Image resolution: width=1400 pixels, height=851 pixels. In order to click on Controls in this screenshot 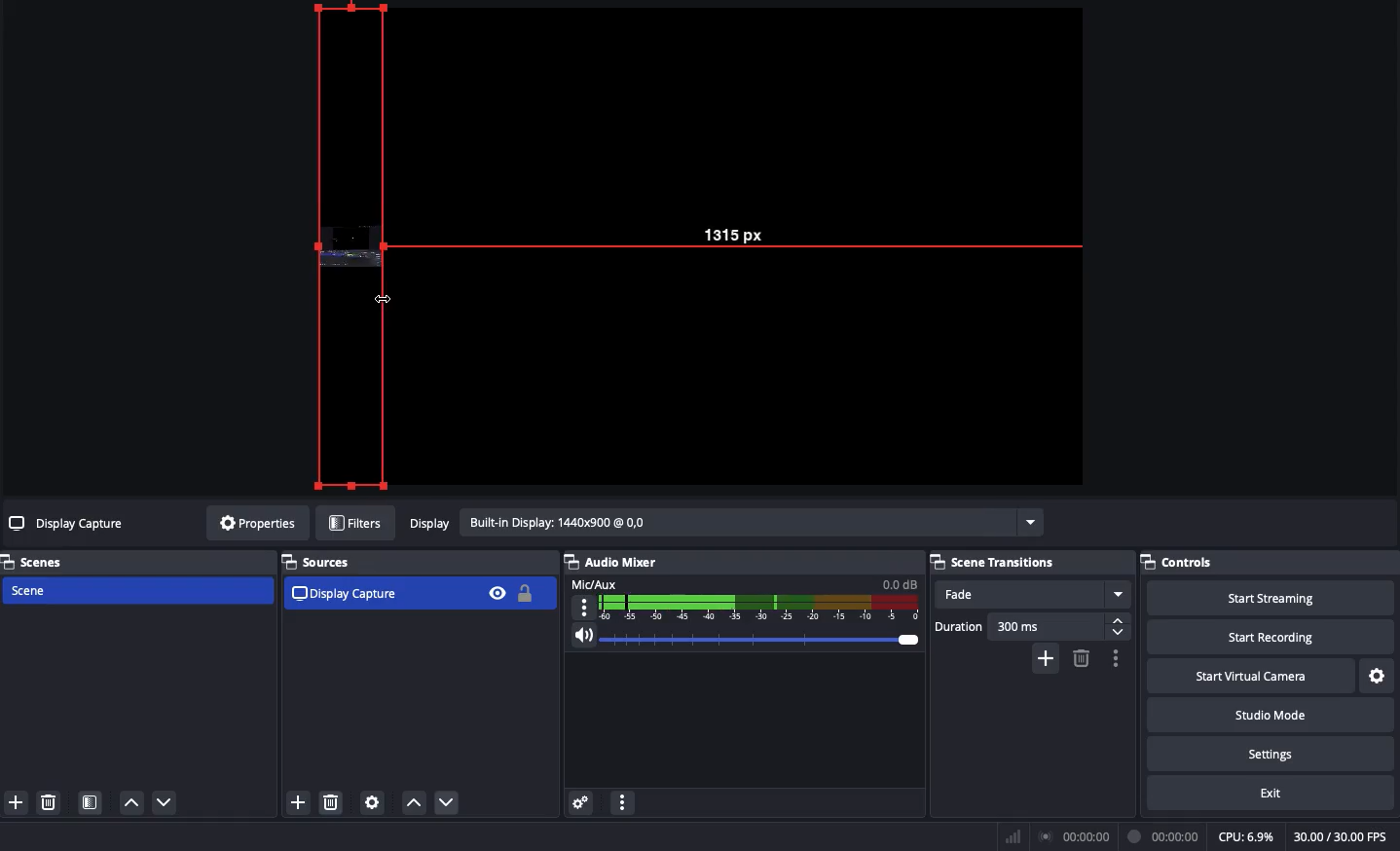, I will do `click(1270, 562)`.